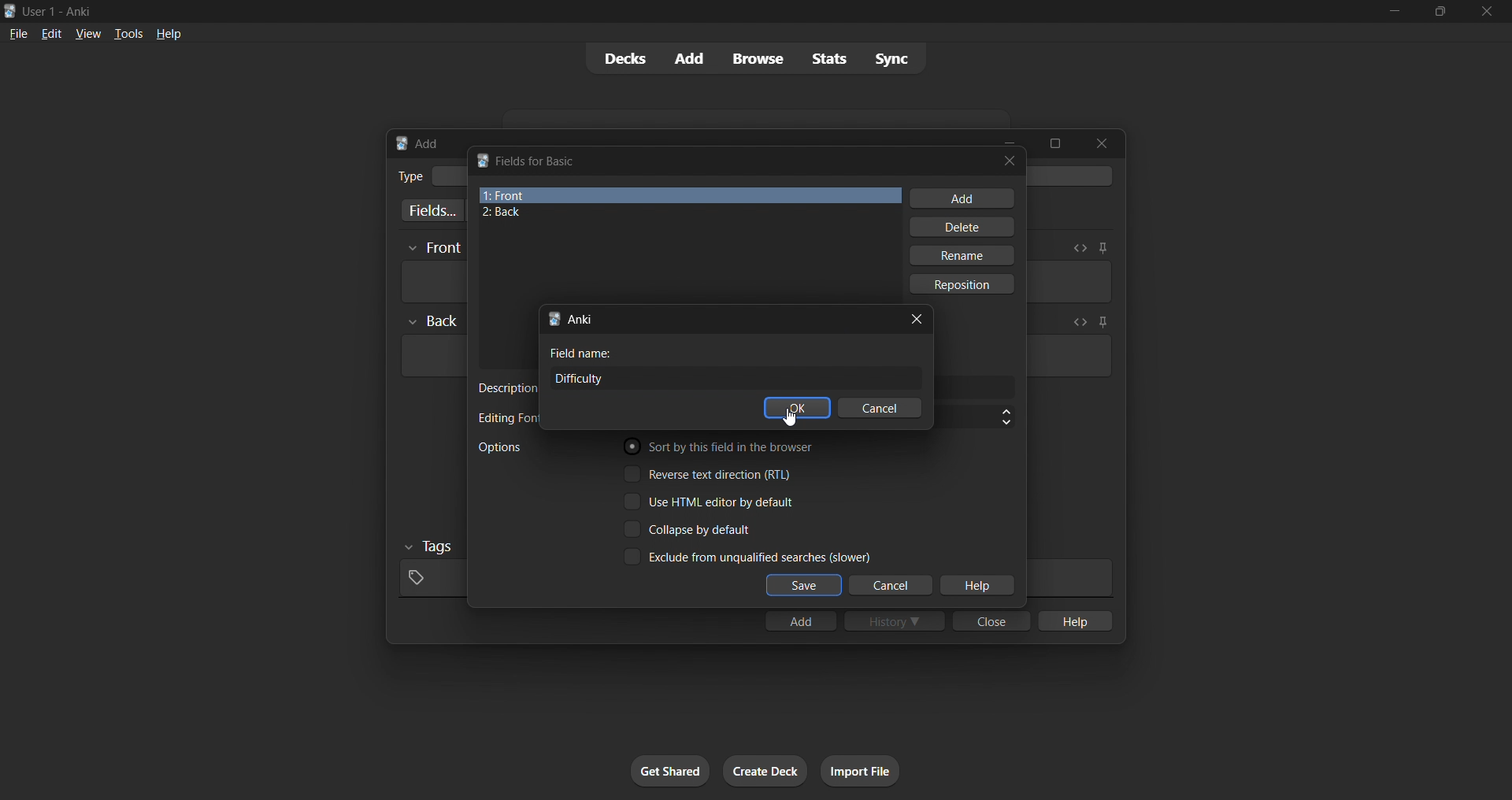  Describe the element at coordinates (710, 473) in the screenshot. I see `Toggle` at that location.